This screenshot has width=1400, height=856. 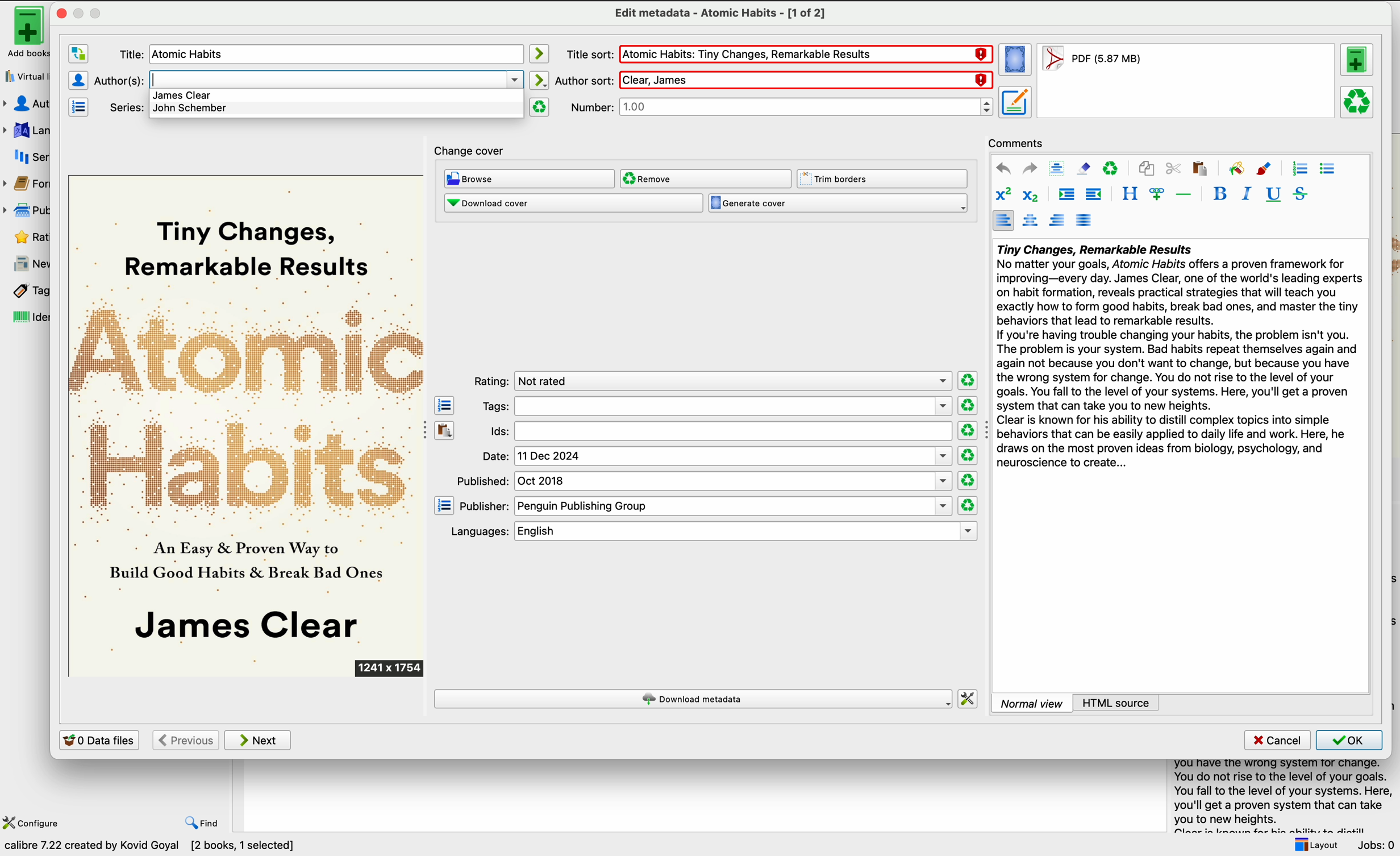 I want to click on paste, so click(x=1199, y=168).